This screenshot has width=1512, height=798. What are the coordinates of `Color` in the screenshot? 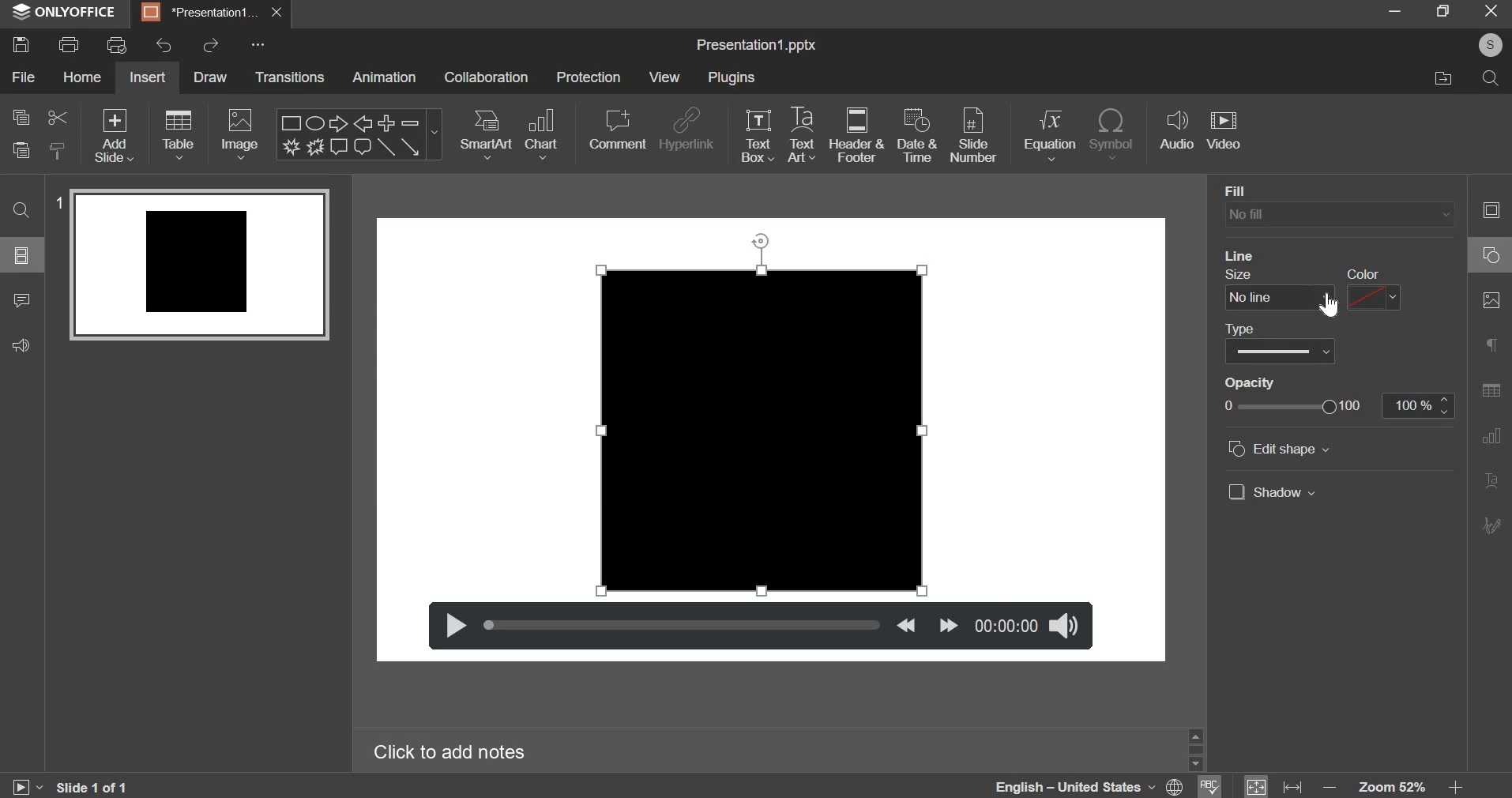 It's located at (1363, 269).